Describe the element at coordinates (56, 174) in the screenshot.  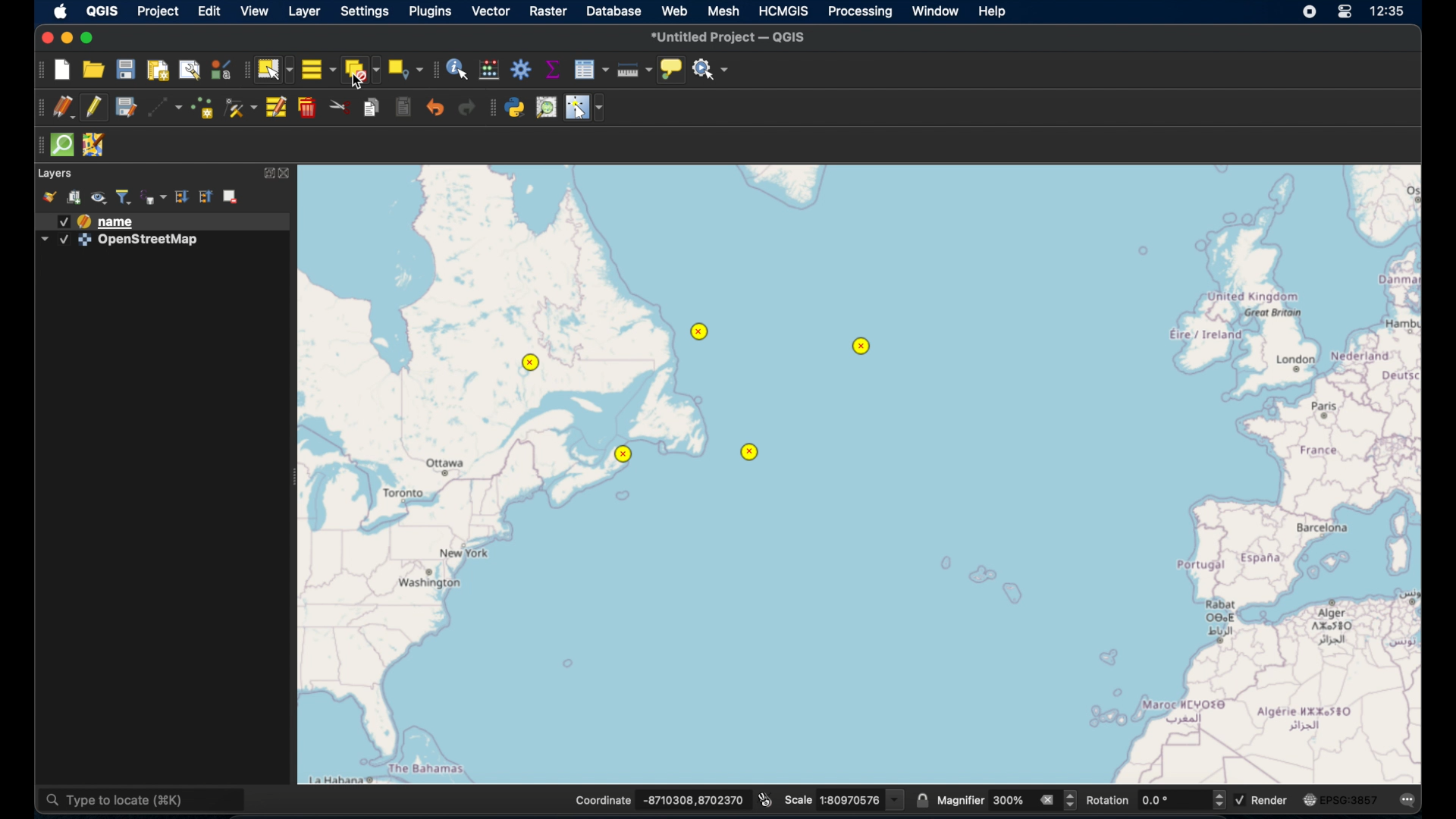
I see `layers` at that location.